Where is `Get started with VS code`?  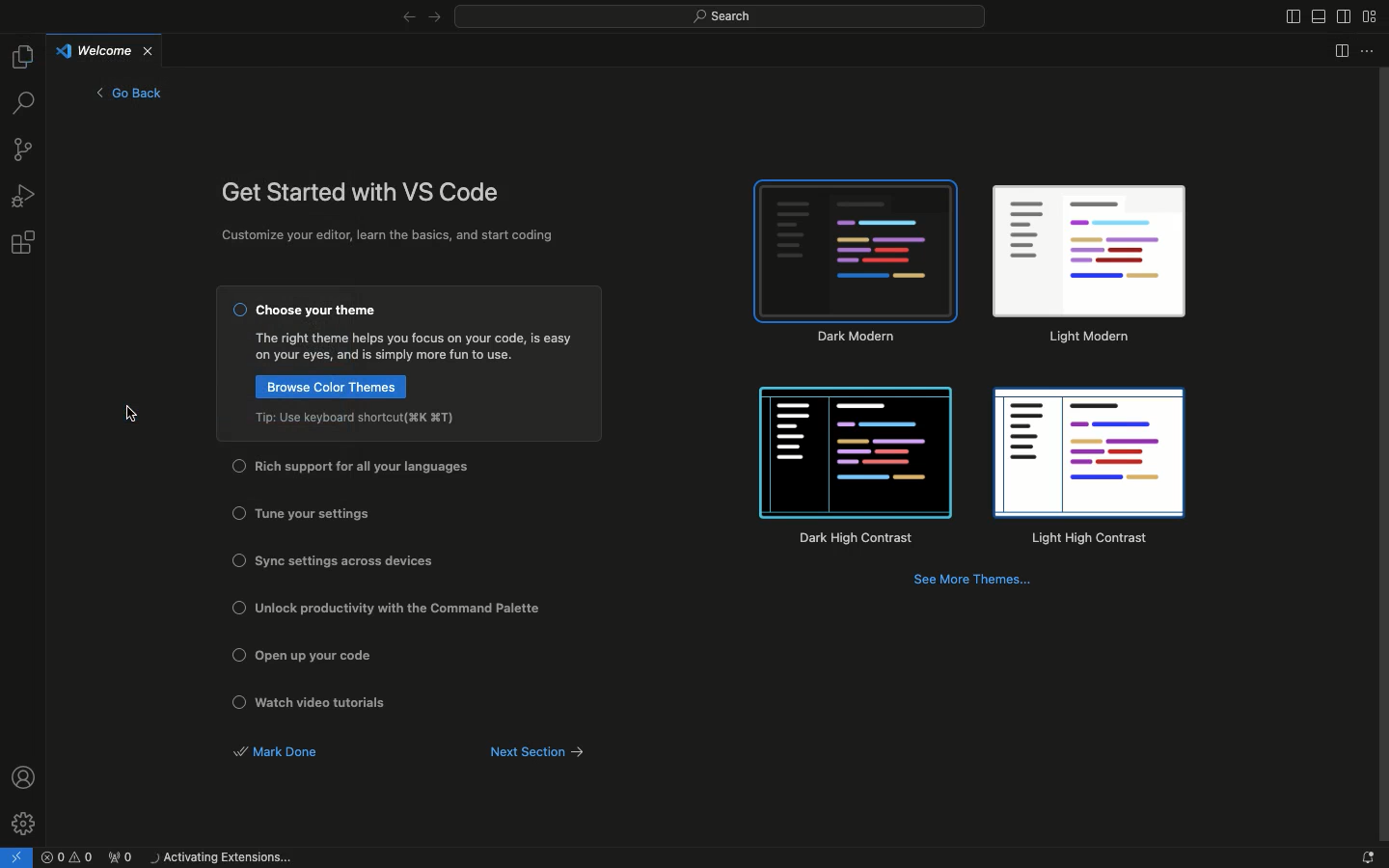 Get started with VS code is located at coordinates (364, 194).